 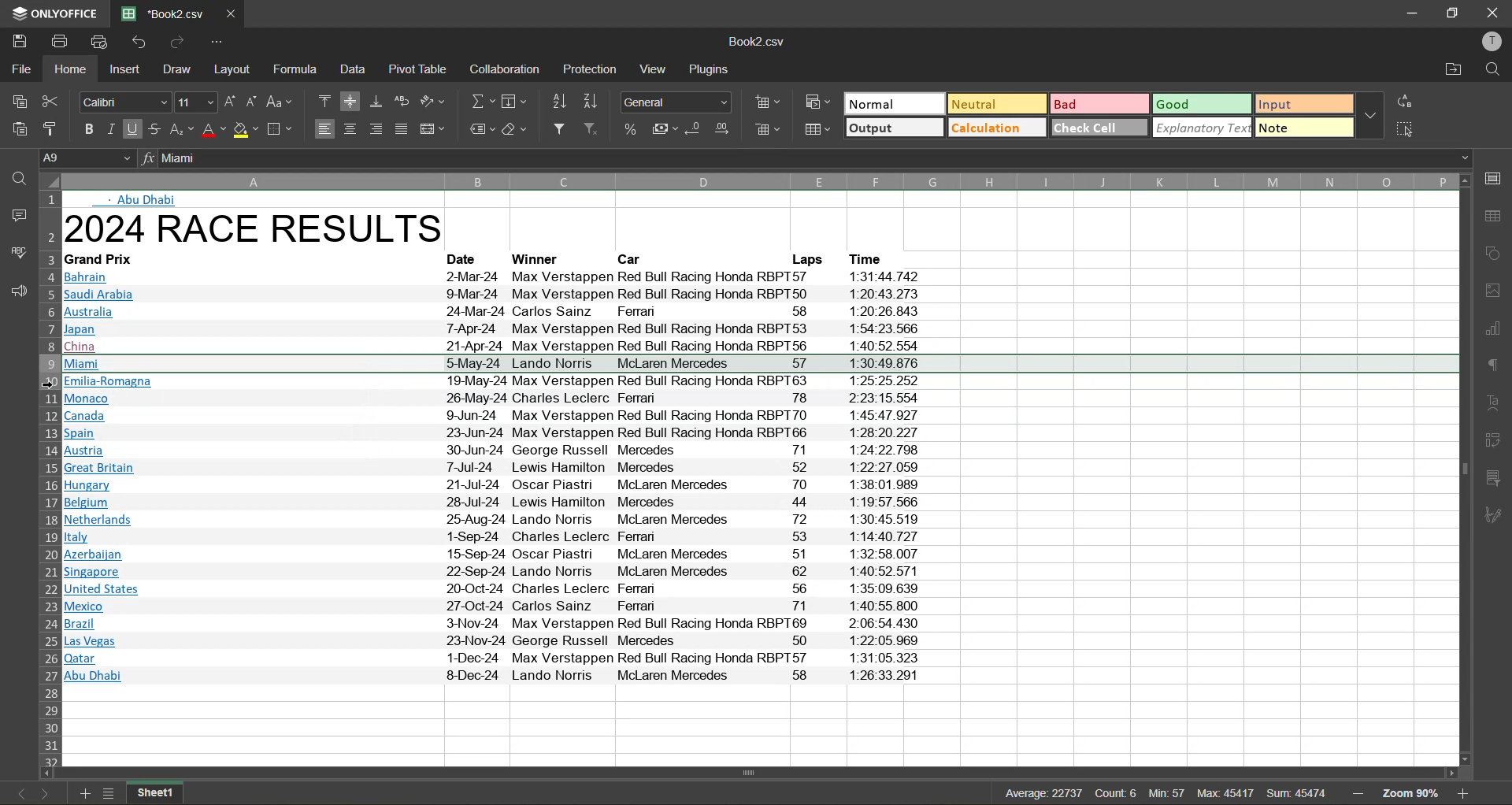 What do you see at coordinates (86, 793) in the screenshot?
I see `add new sheet` at bounding box center [86, 793].